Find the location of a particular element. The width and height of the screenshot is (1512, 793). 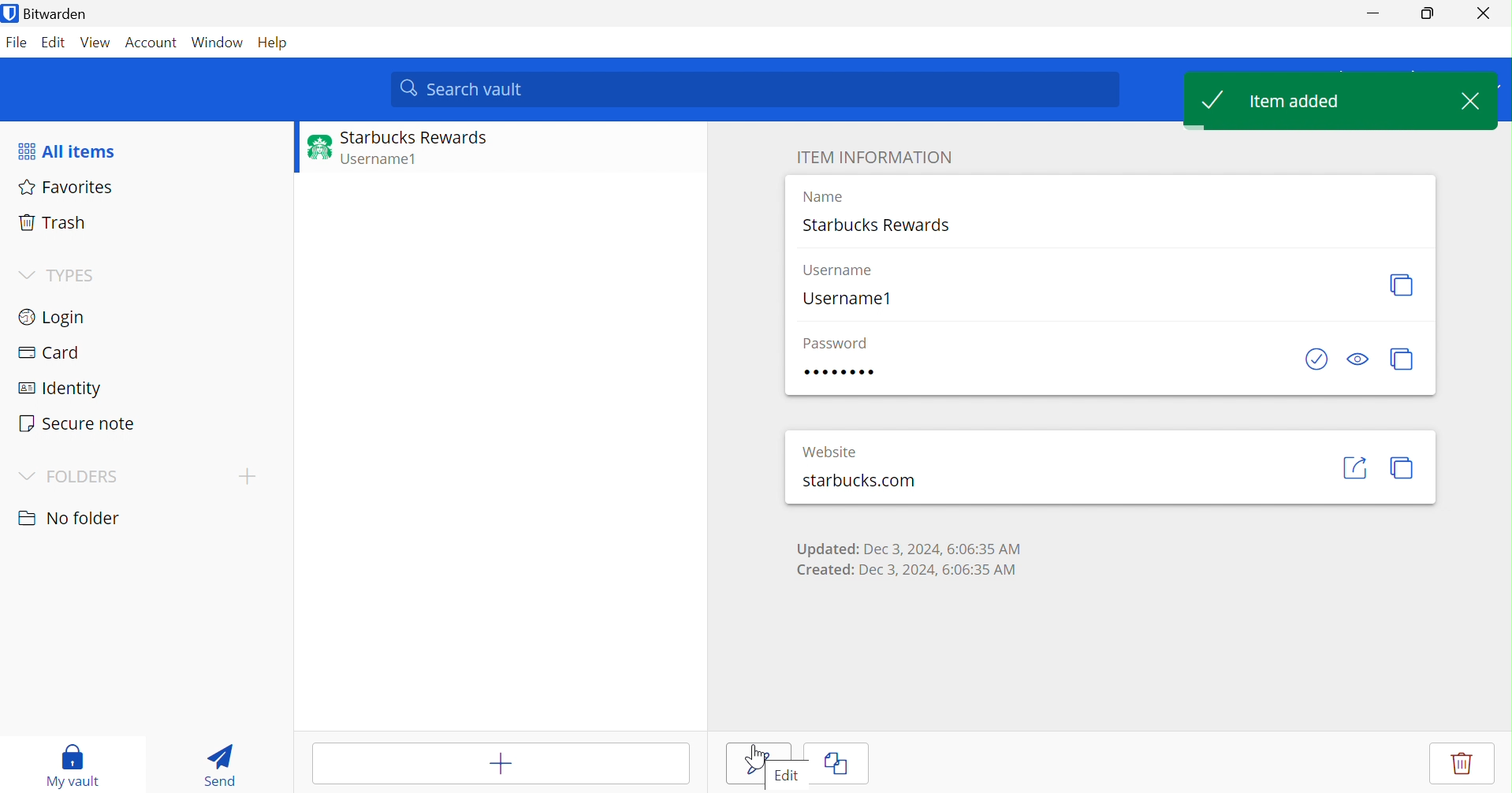

Identify is located at coordinates (59, 390).